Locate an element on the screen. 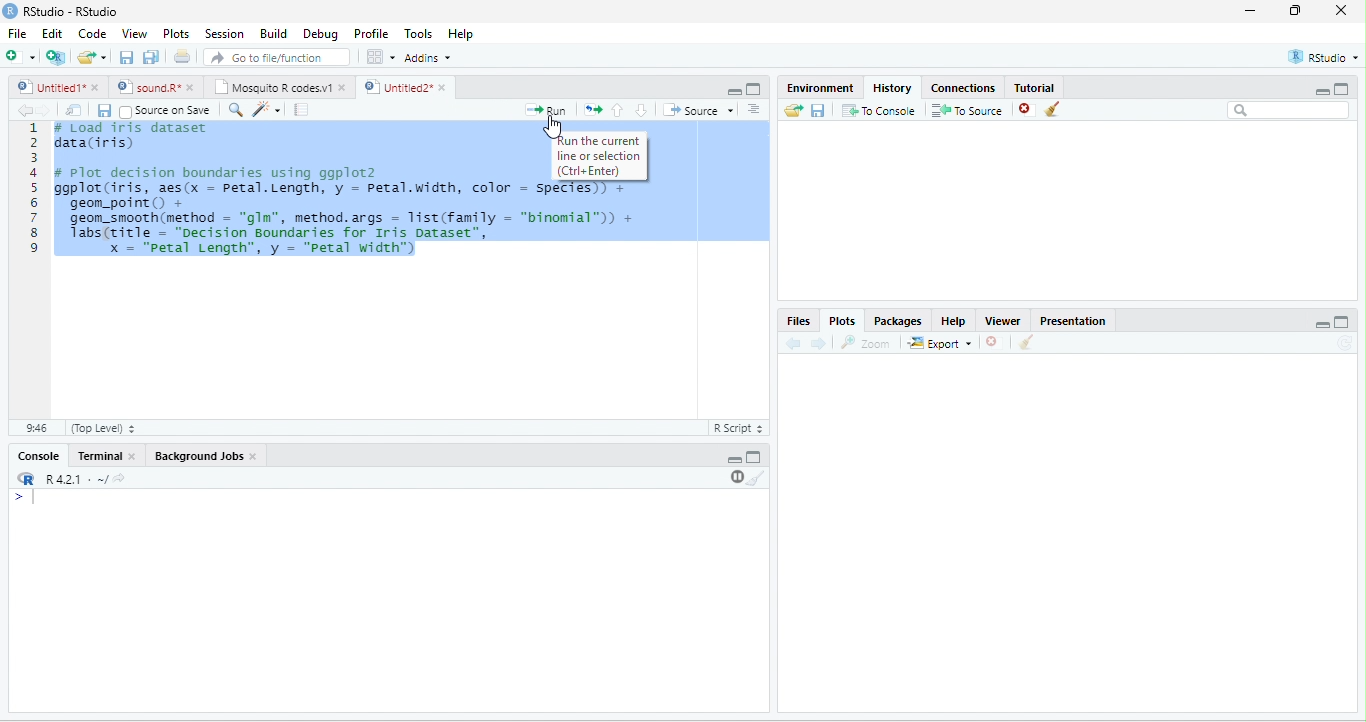  View is located at coordinates (134, 34).